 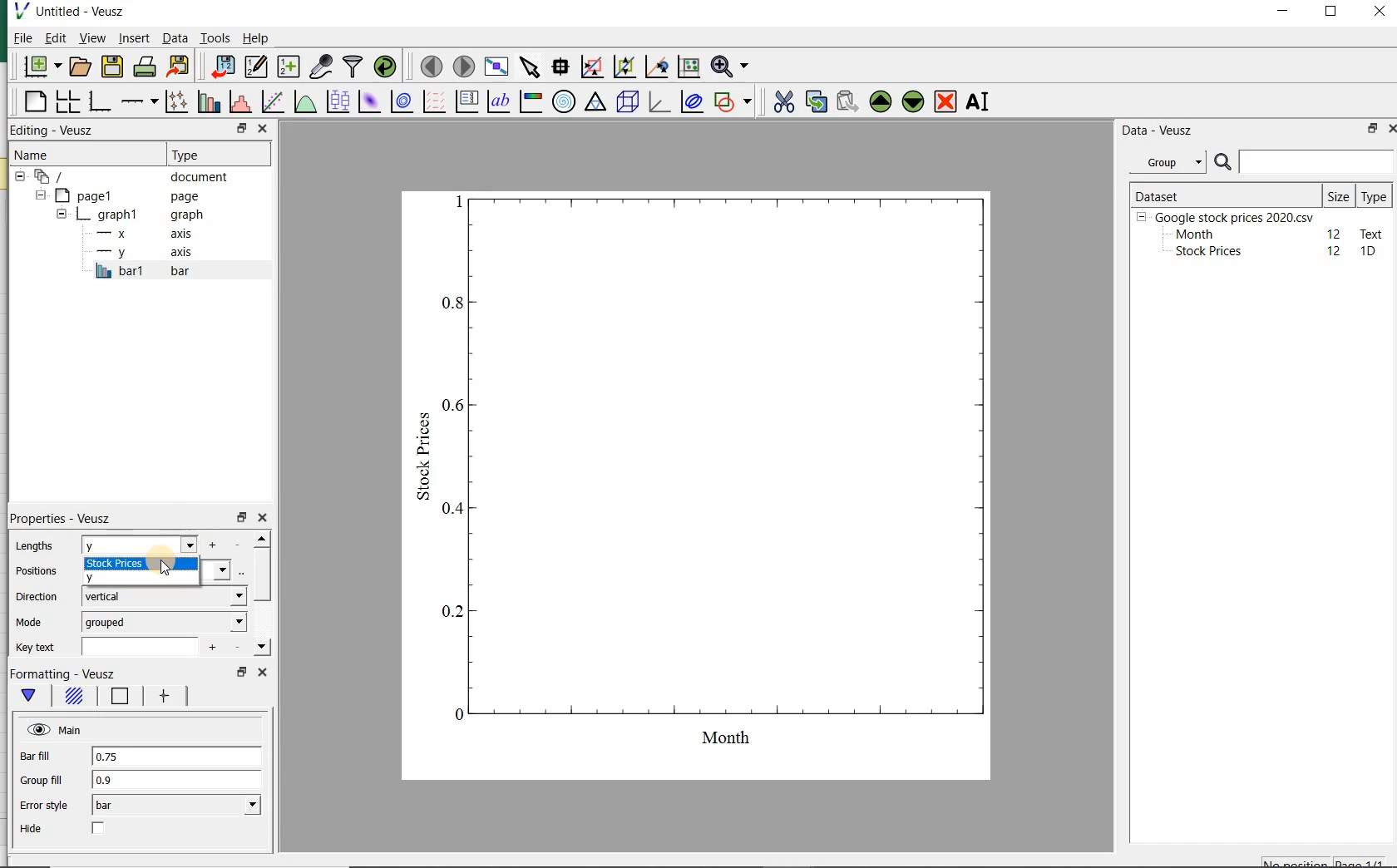 What do you see at coordinates (1334, 13) in the screenshot?
I see `maximize` at bounding box center [1334, 13].